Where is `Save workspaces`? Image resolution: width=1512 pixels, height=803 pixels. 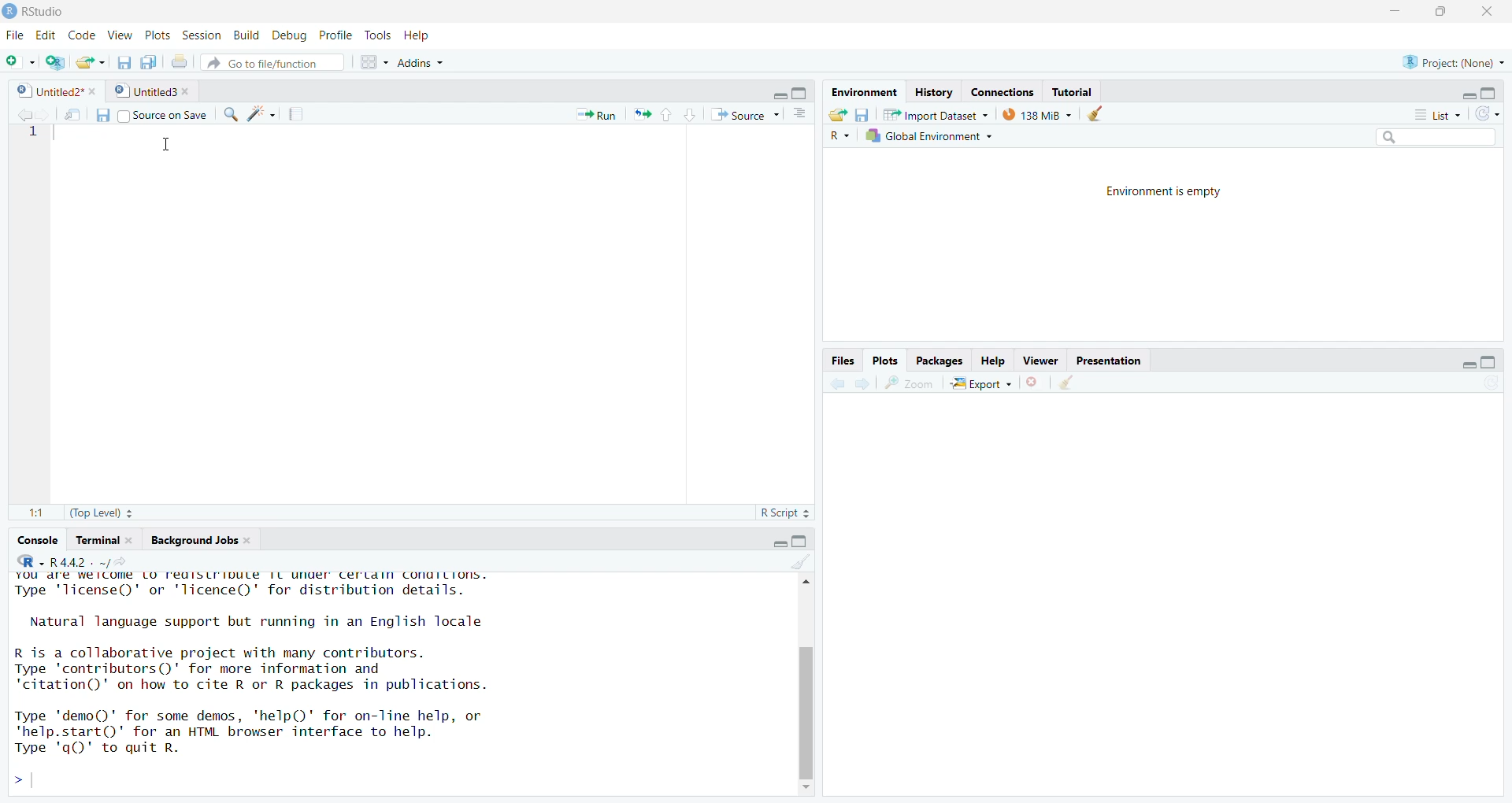 Save workspaces is located at coordinates (866, 113).